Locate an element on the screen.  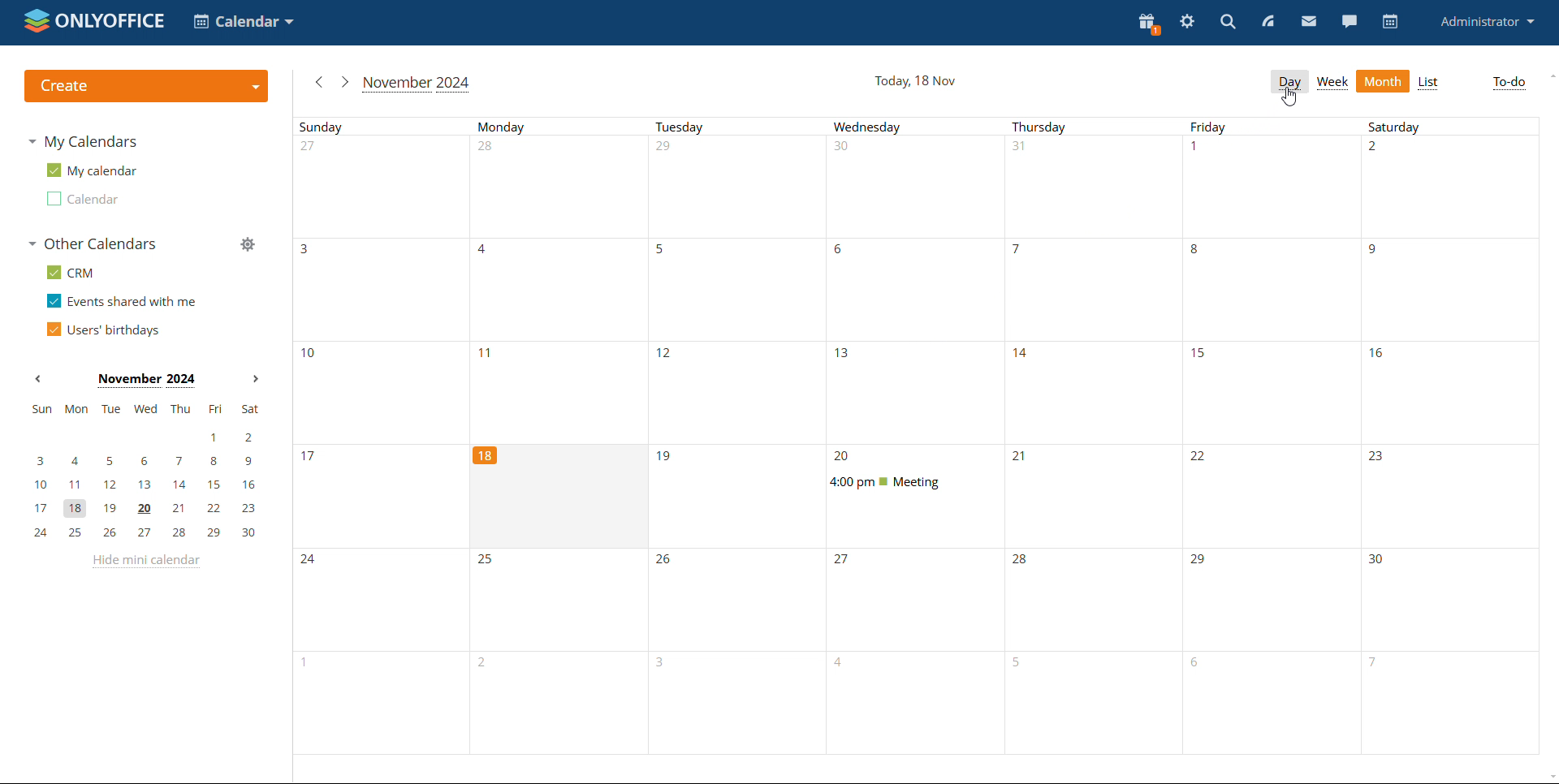
settings is located at coordinates (1189, 22).